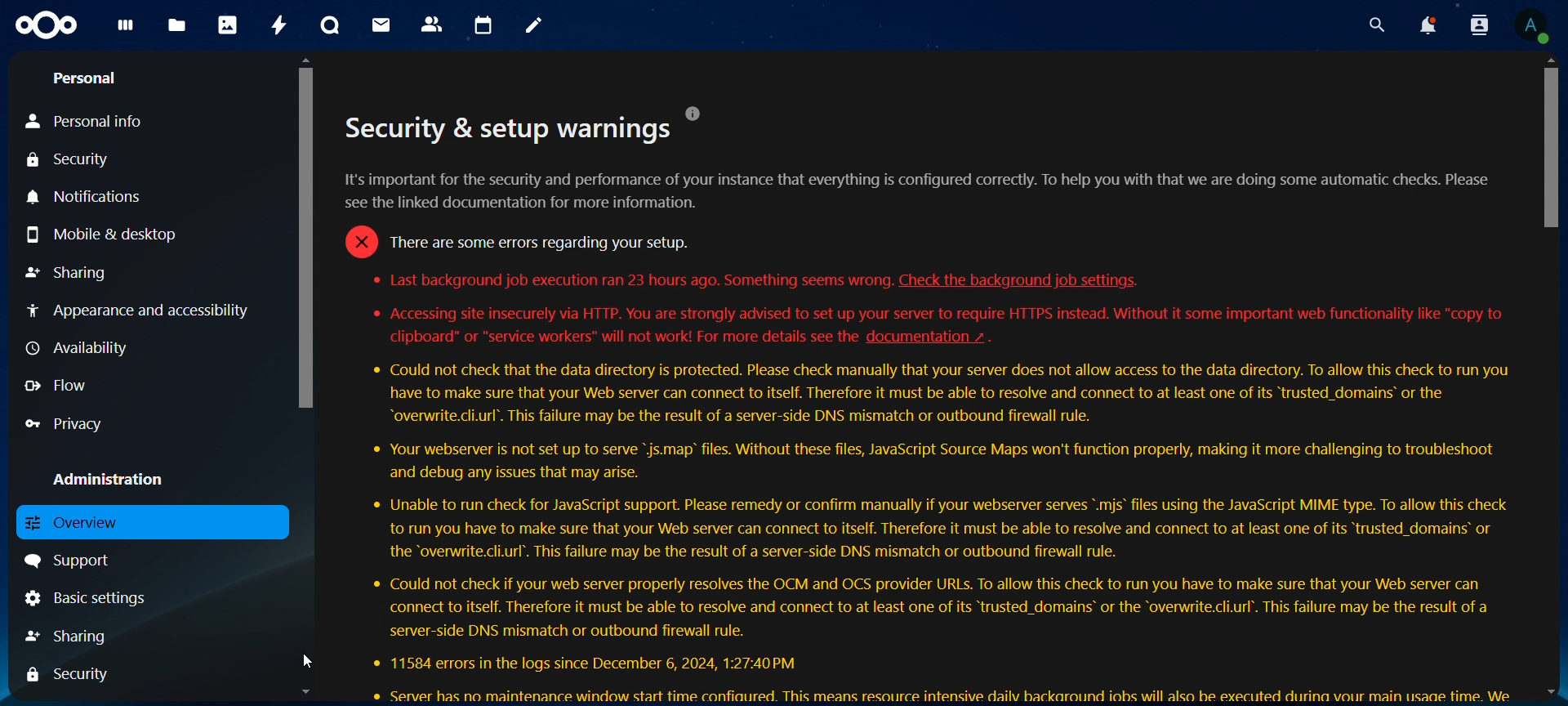  What do you see at coordinates (67, 158) in the screenshot?
I see `security` at bounding box center [67, 158].